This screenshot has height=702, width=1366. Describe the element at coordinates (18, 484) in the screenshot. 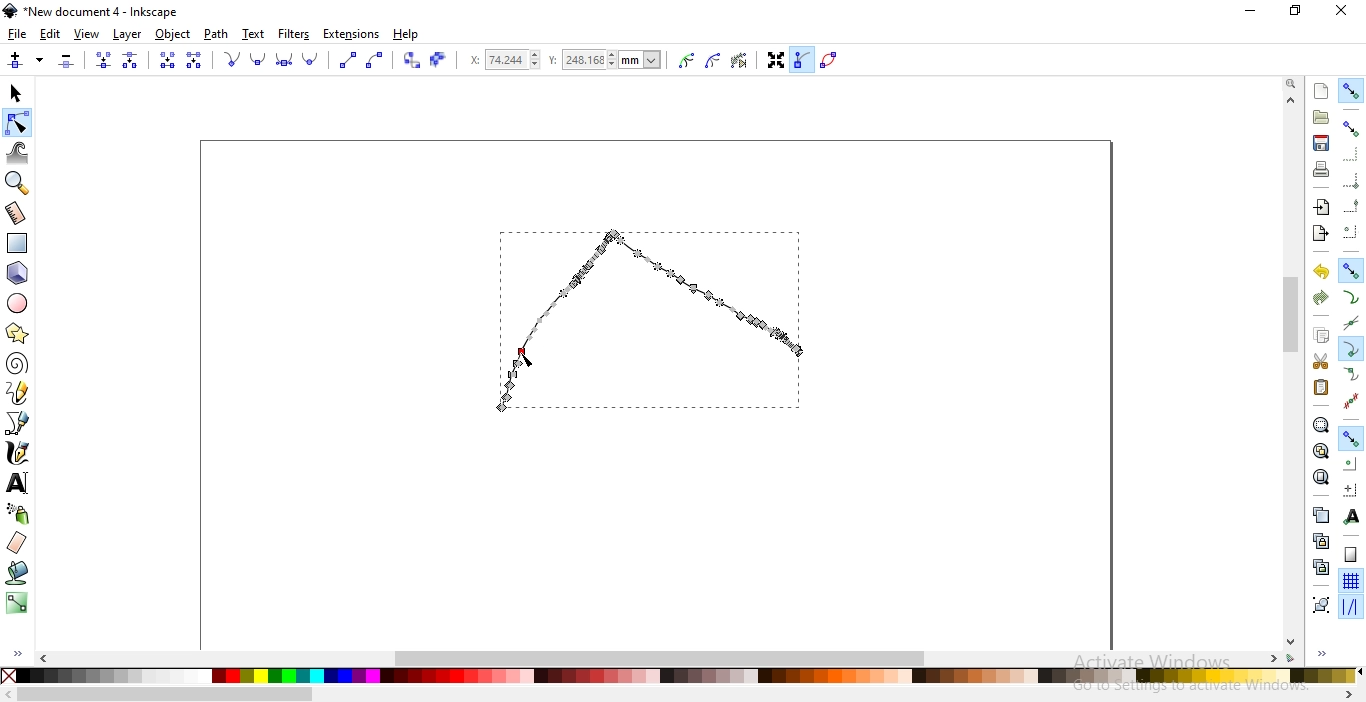

I see `create and edit text` at that location.